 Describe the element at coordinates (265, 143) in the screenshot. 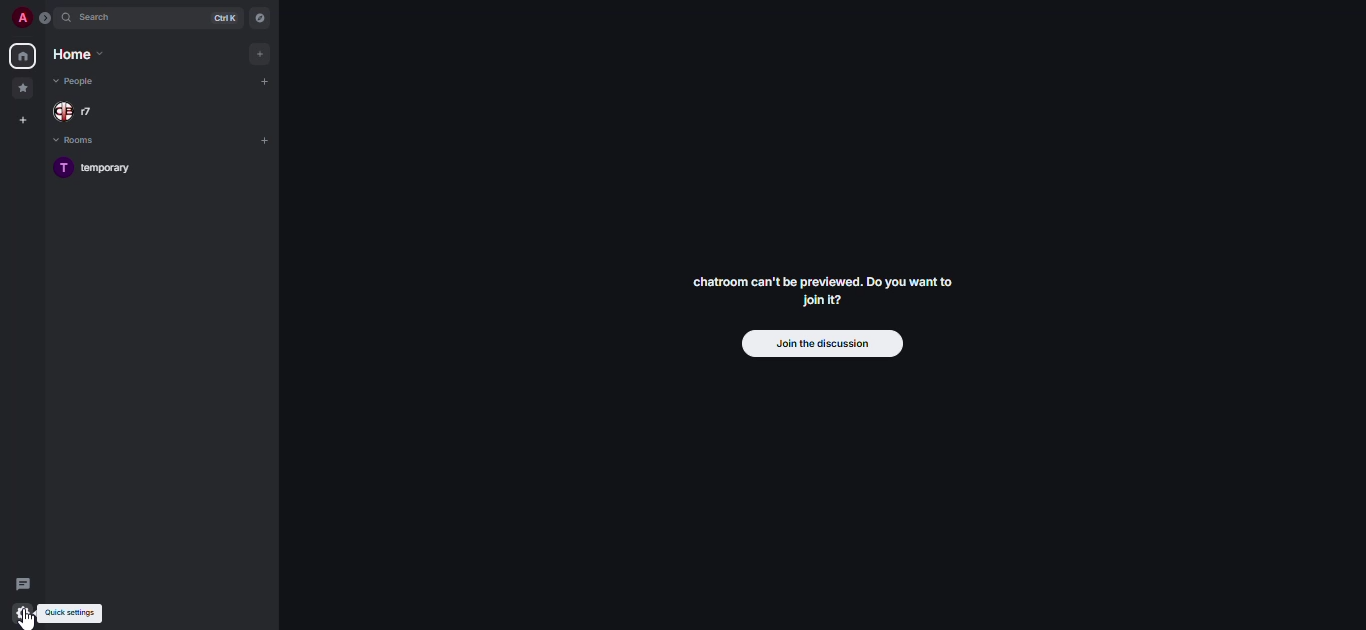

I see `add` at that location.